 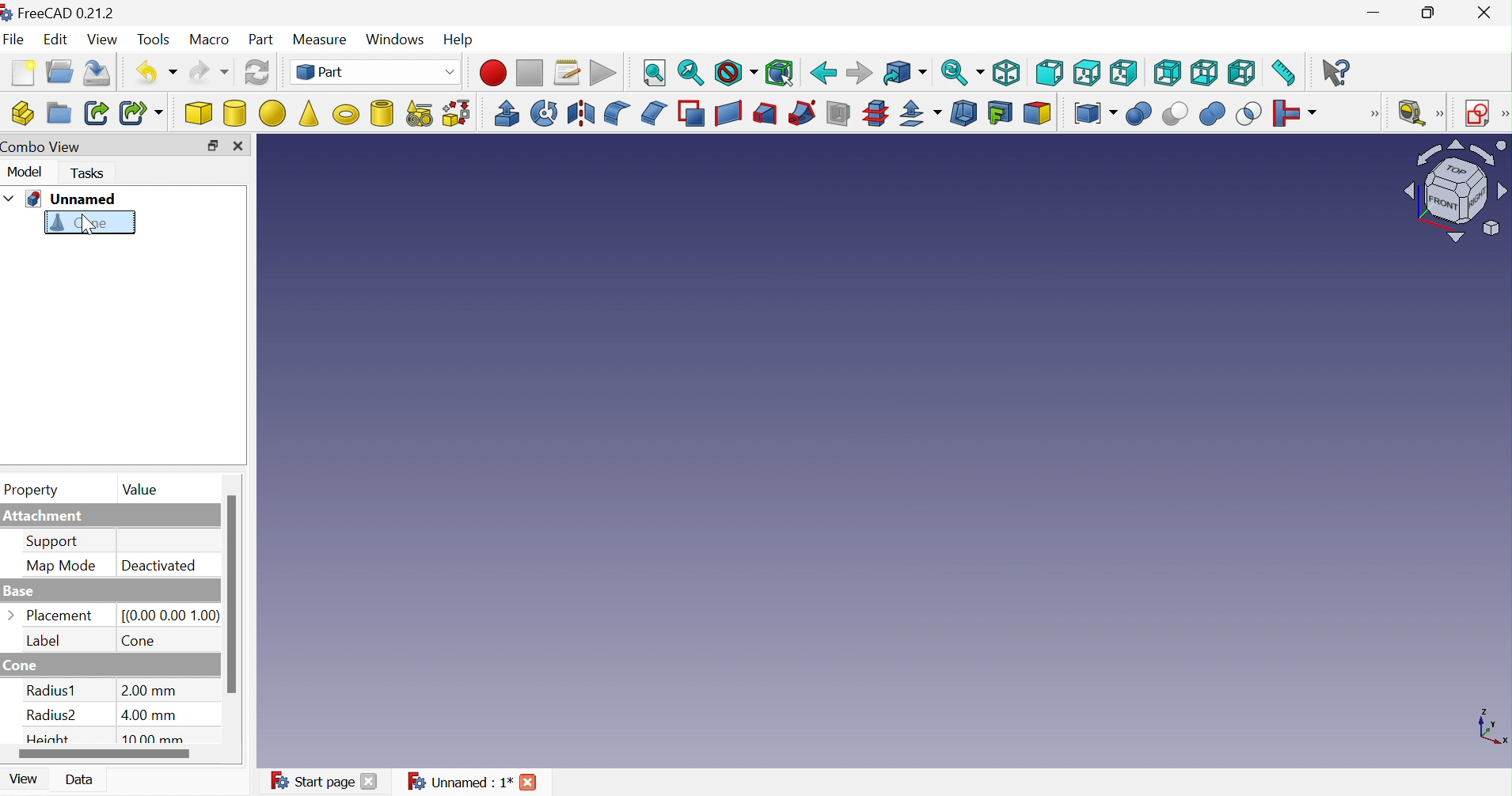 I want to click on Cone, so click(x=80, y=225).